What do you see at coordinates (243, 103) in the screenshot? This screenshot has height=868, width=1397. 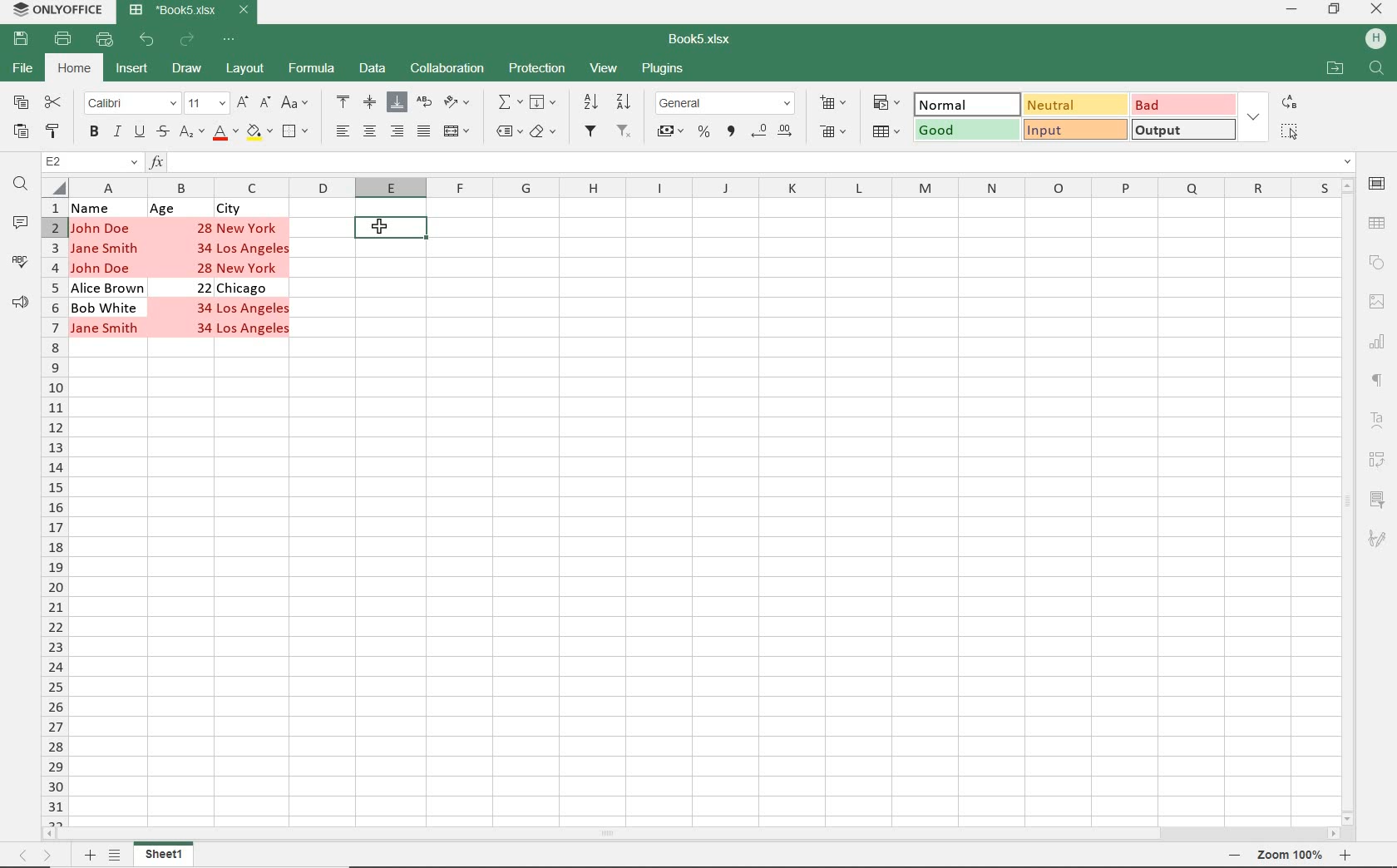 I see `INCREMENT FONT SIZE` at bounding box center [243, 103].